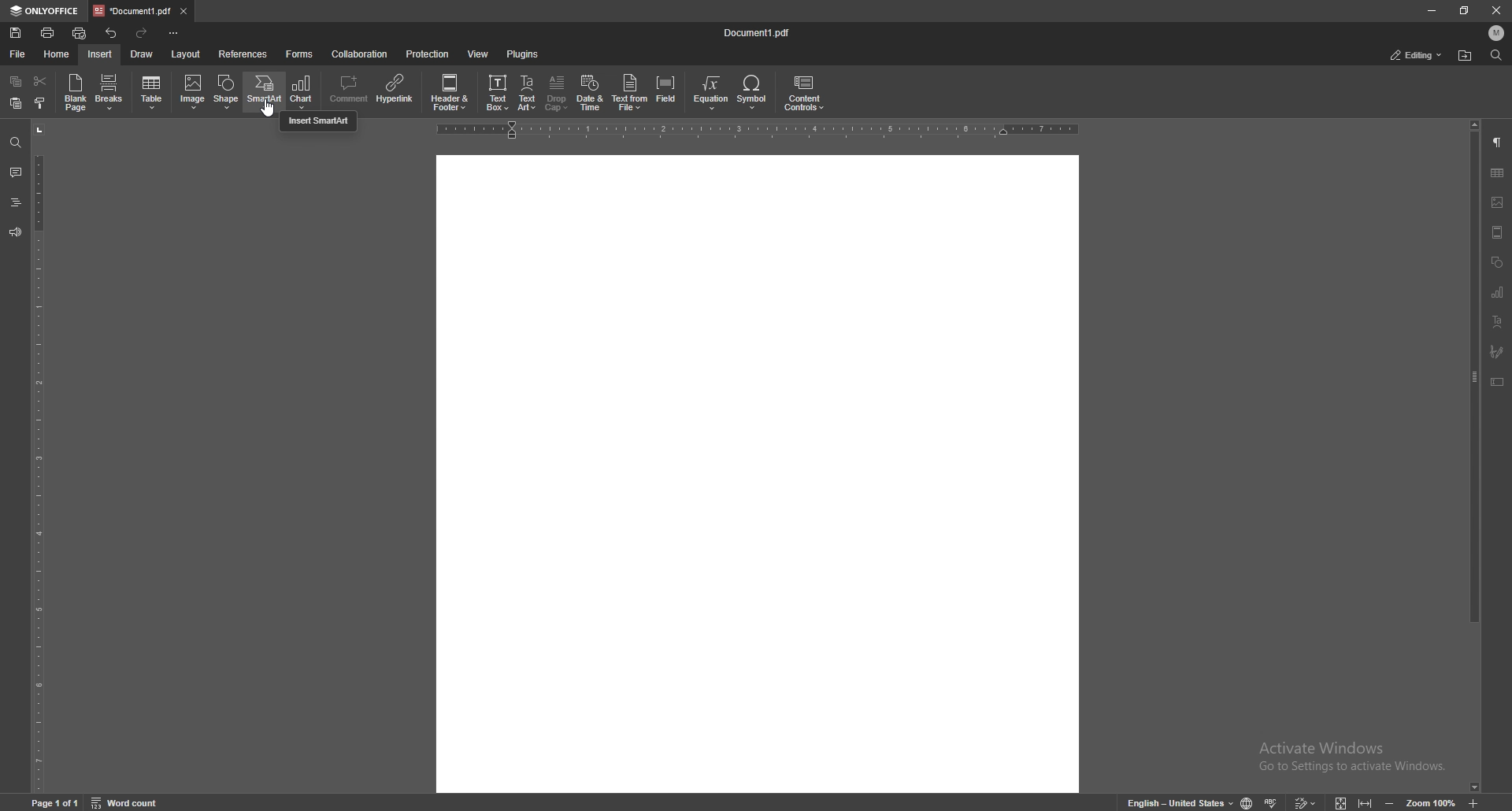 This screenshot has height=811, width=1512. Describe the element at coordinates (1498, 143) in the screenshot. I see `paragraph` at that location.